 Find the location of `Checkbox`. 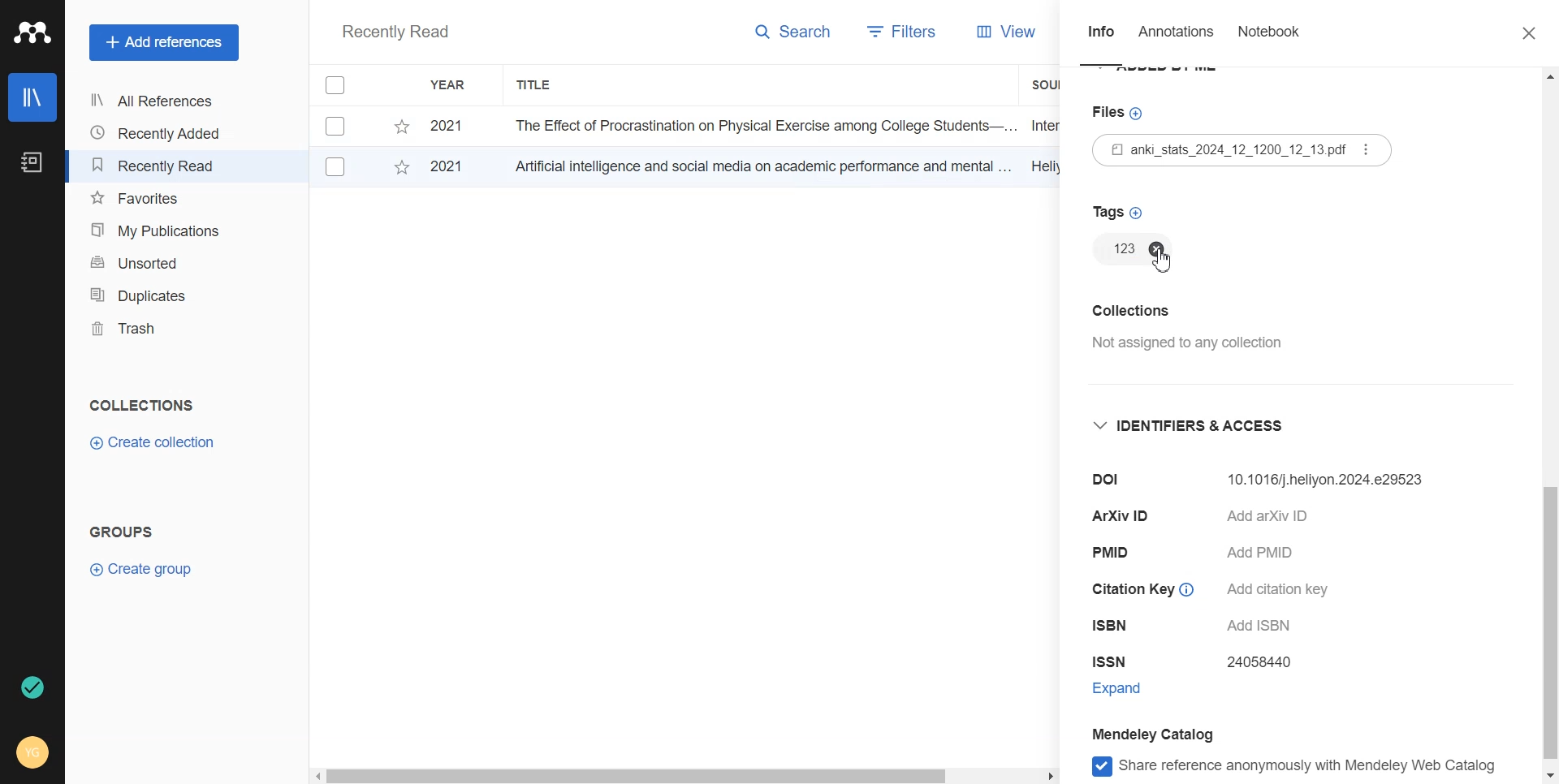

Checkbox is located at coordinates (336, 167).